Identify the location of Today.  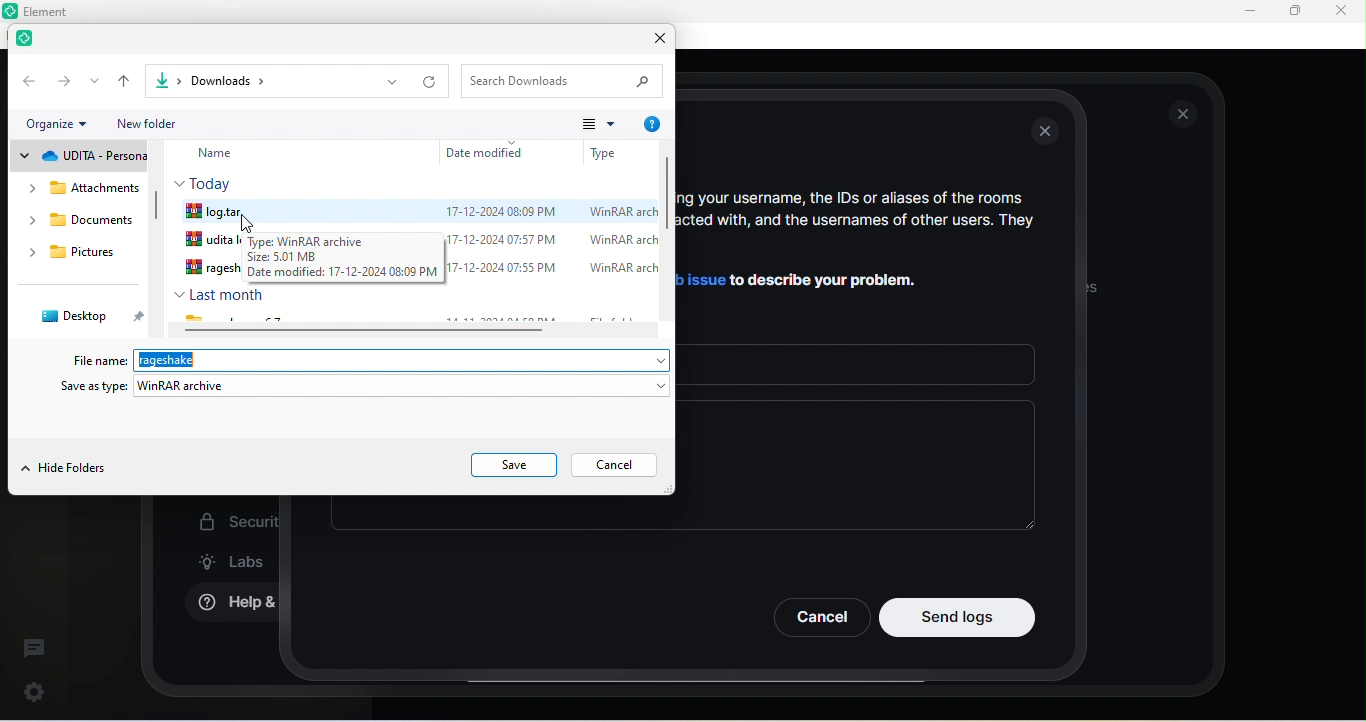
(208, 182).